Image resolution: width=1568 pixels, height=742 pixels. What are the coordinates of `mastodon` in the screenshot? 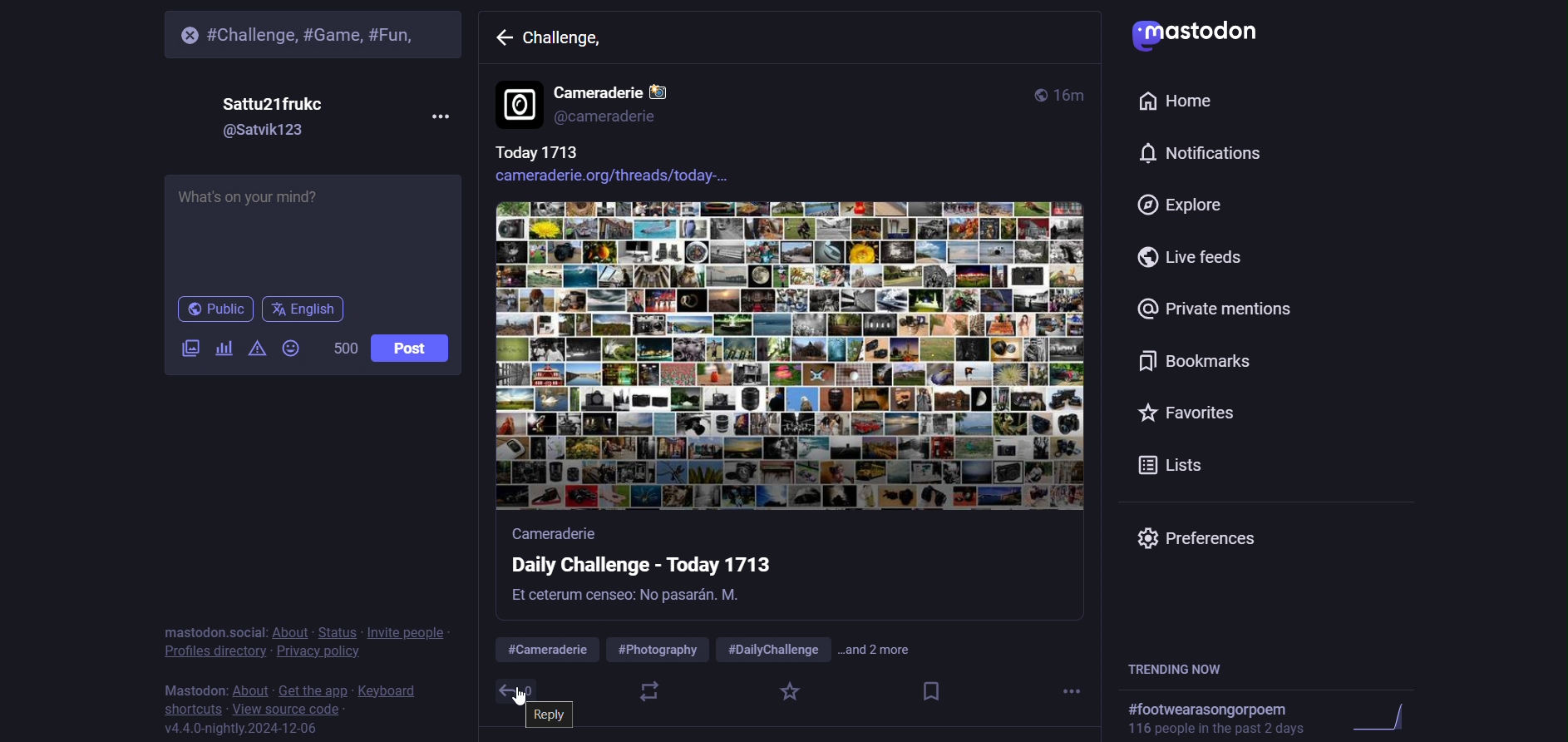 It's located at (1202, 32).